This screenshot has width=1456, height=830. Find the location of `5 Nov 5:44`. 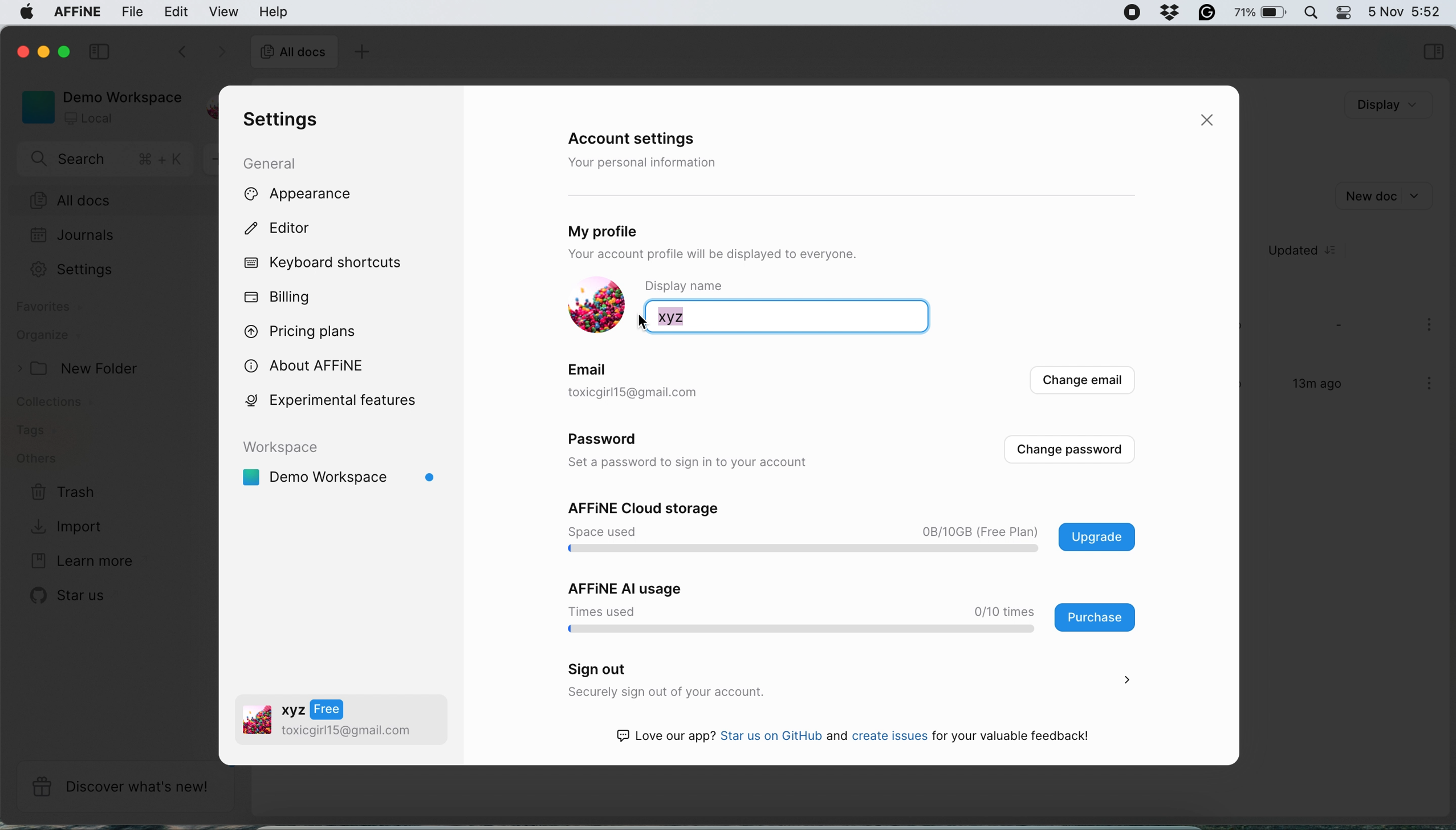

5 Nov 5:44 is located at coordinates (1404, 10).